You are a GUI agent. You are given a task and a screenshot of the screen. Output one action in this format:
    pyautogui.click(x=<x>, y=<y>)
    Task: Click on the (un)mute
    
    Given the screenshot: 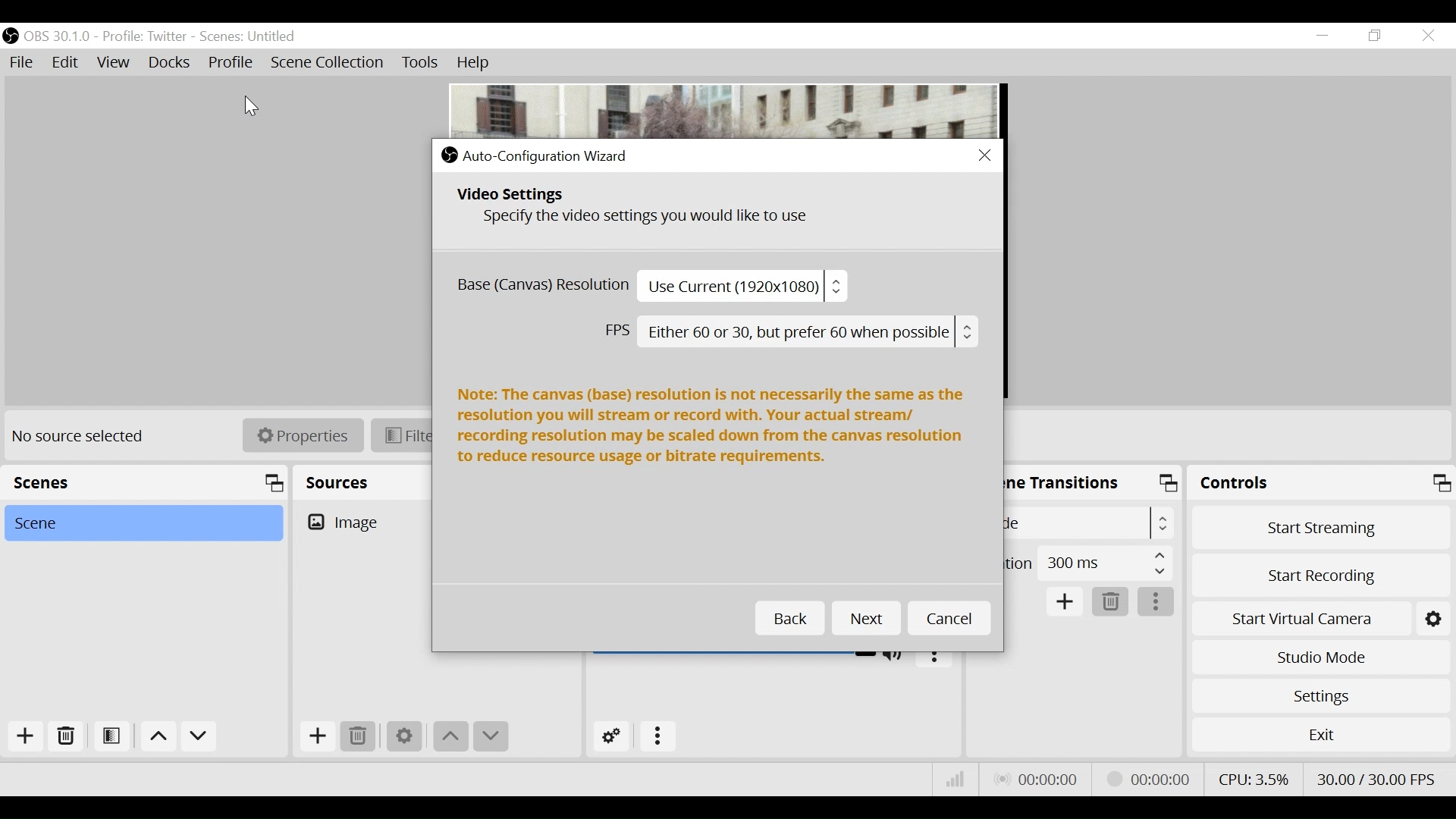 What is the action you would take?
    pyautogui.click(x=897, y=654)
    